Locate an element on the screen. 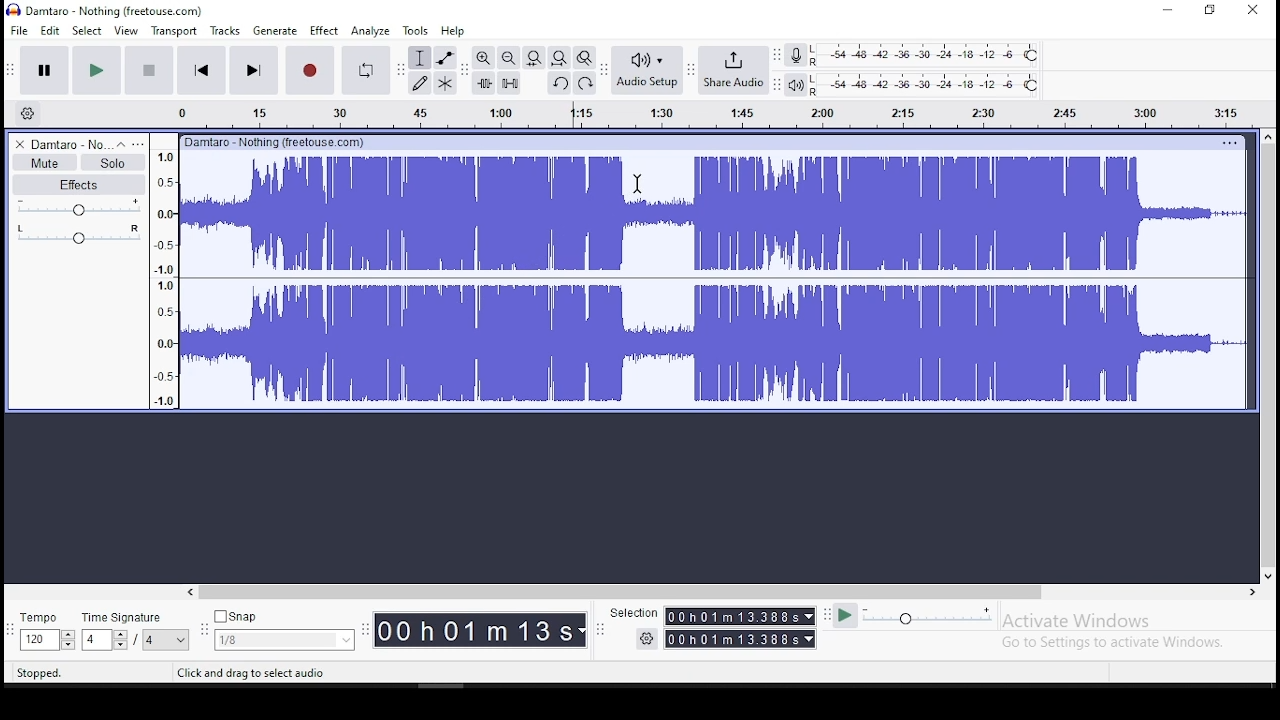 Image resolution: width=1280 pixels, height=720 pixels. selection tool is located at coordinates (418, 57).